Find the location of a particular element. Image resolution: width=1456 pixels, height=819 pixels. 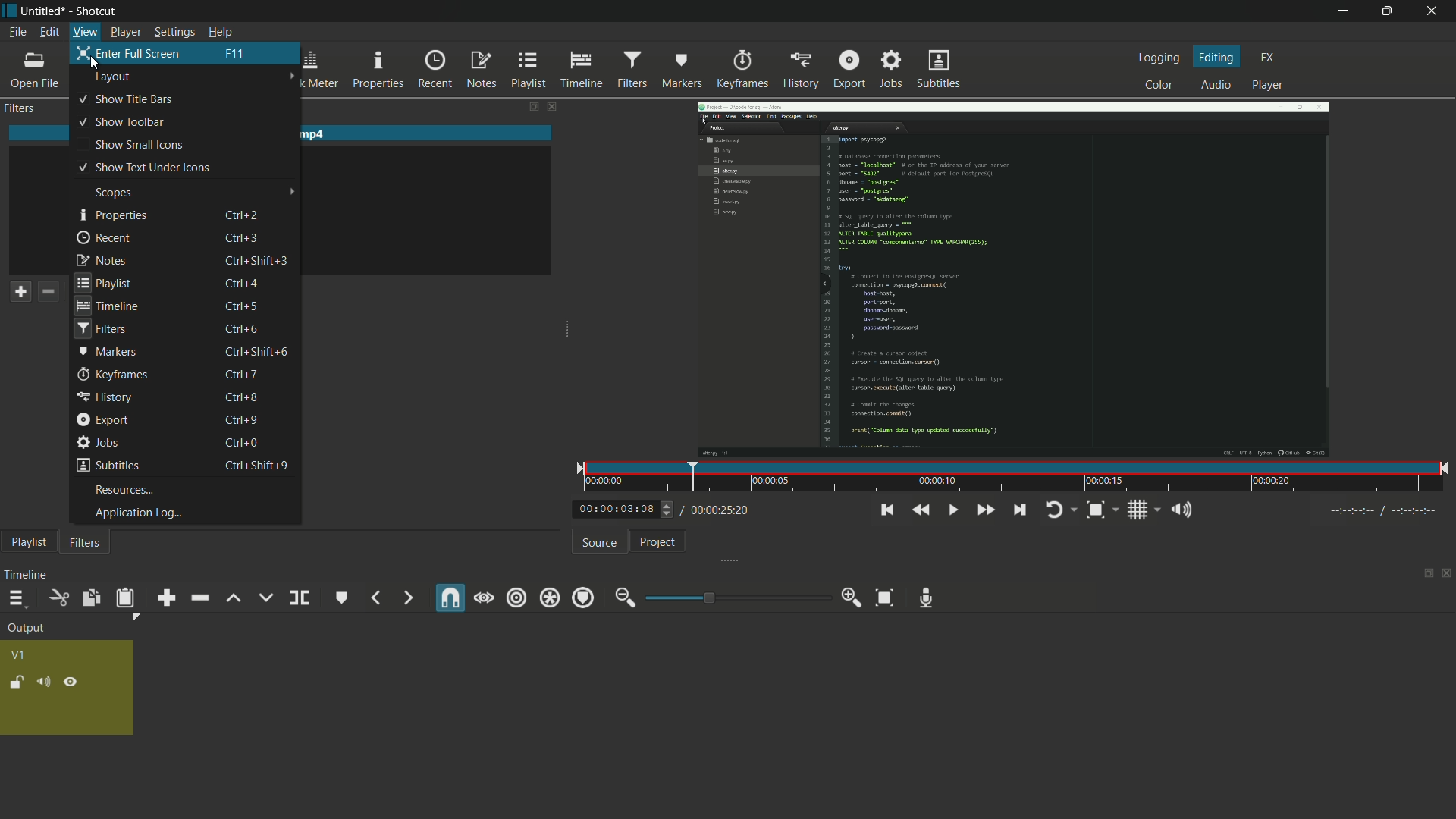

toggle play or pause is located at coordinates (954, 510).